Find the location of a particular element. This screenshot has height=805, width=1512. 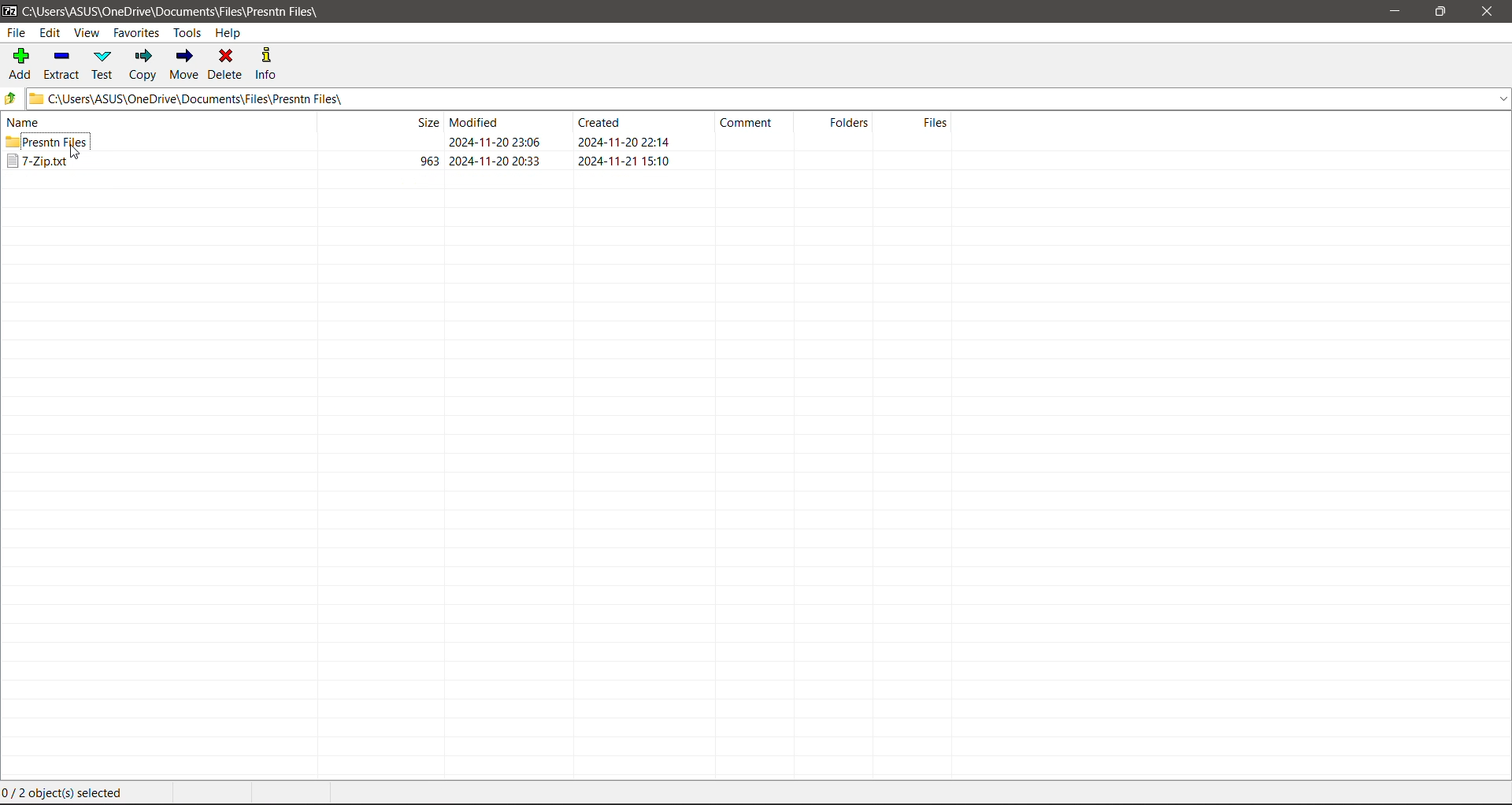

Close is located at coordinates (1488, 12).